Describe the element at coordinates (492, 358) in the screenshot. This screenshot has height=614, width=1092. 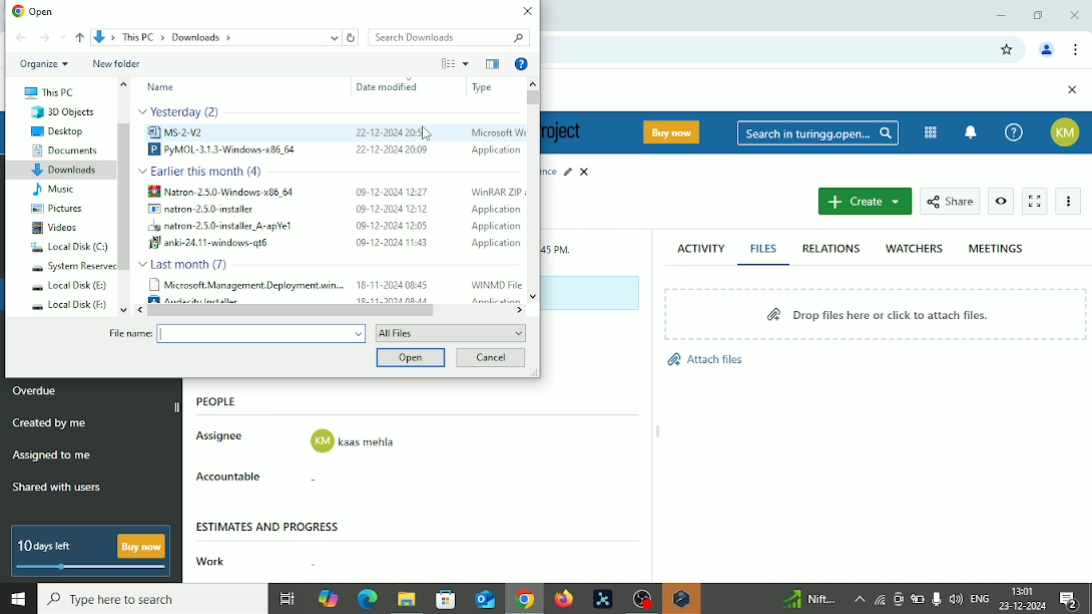
I see `Cancel` at that location.